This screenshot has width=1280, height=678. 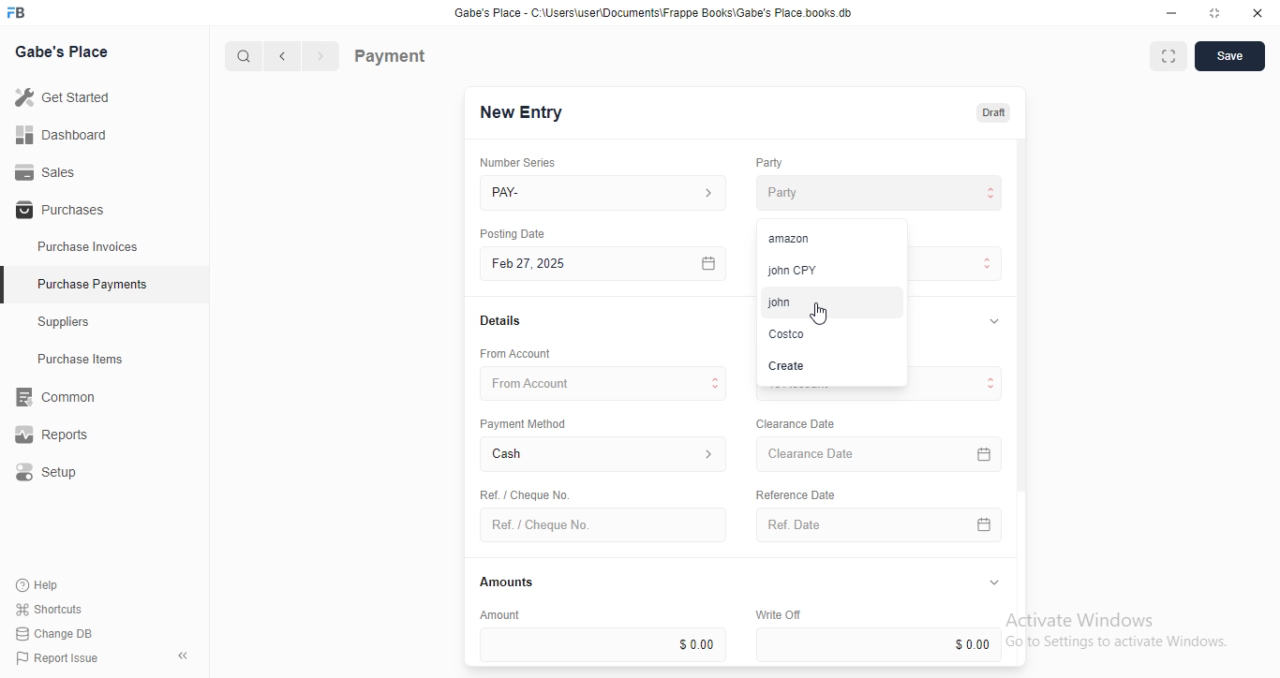 What do you see at coordinates (57, 211) in the screenshot?
I see `Purchases` at bounding box center [57, 211].